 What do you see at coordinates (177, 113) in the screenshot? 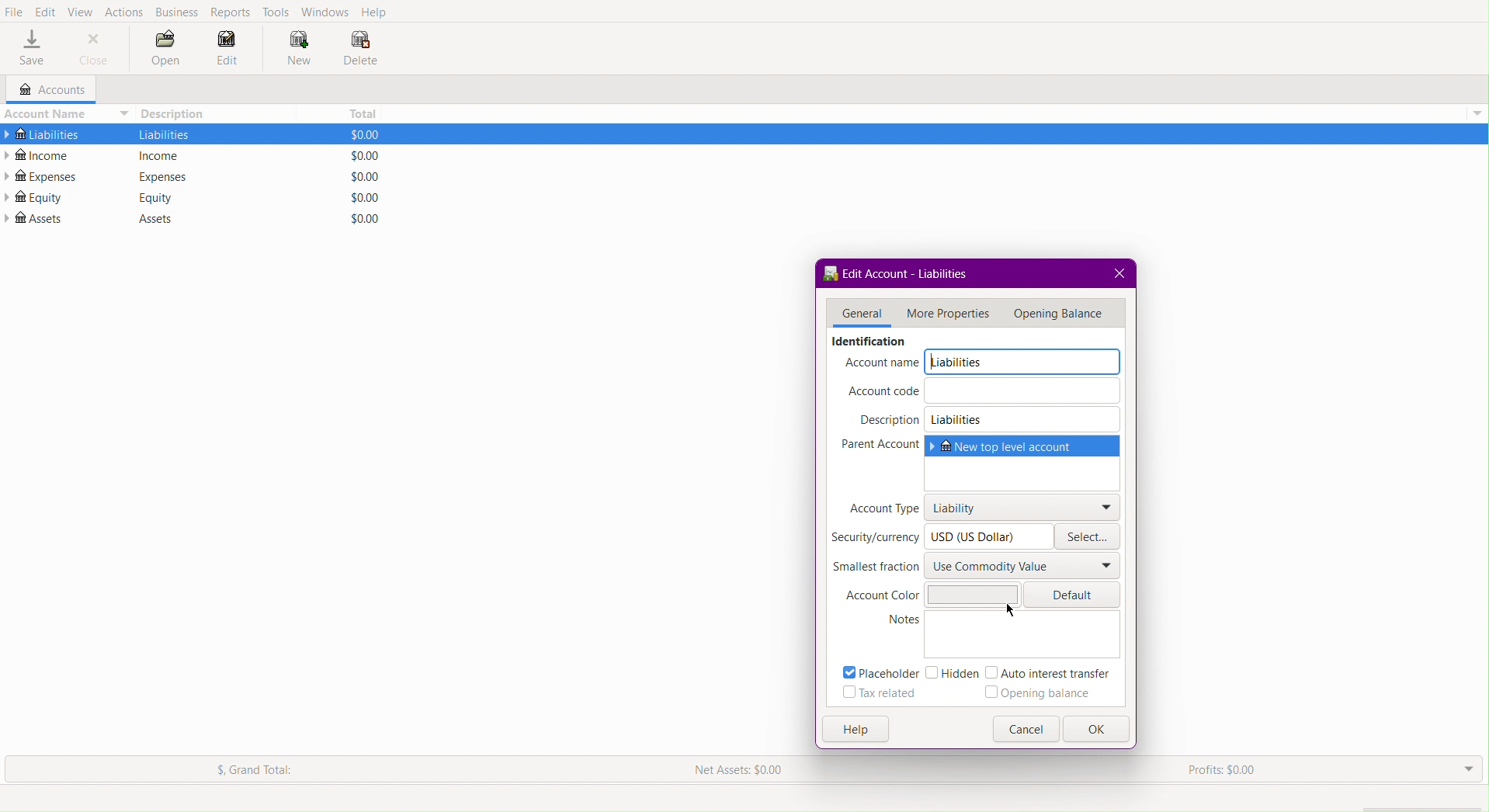
I see `Description` at bounding box center [177, 113].